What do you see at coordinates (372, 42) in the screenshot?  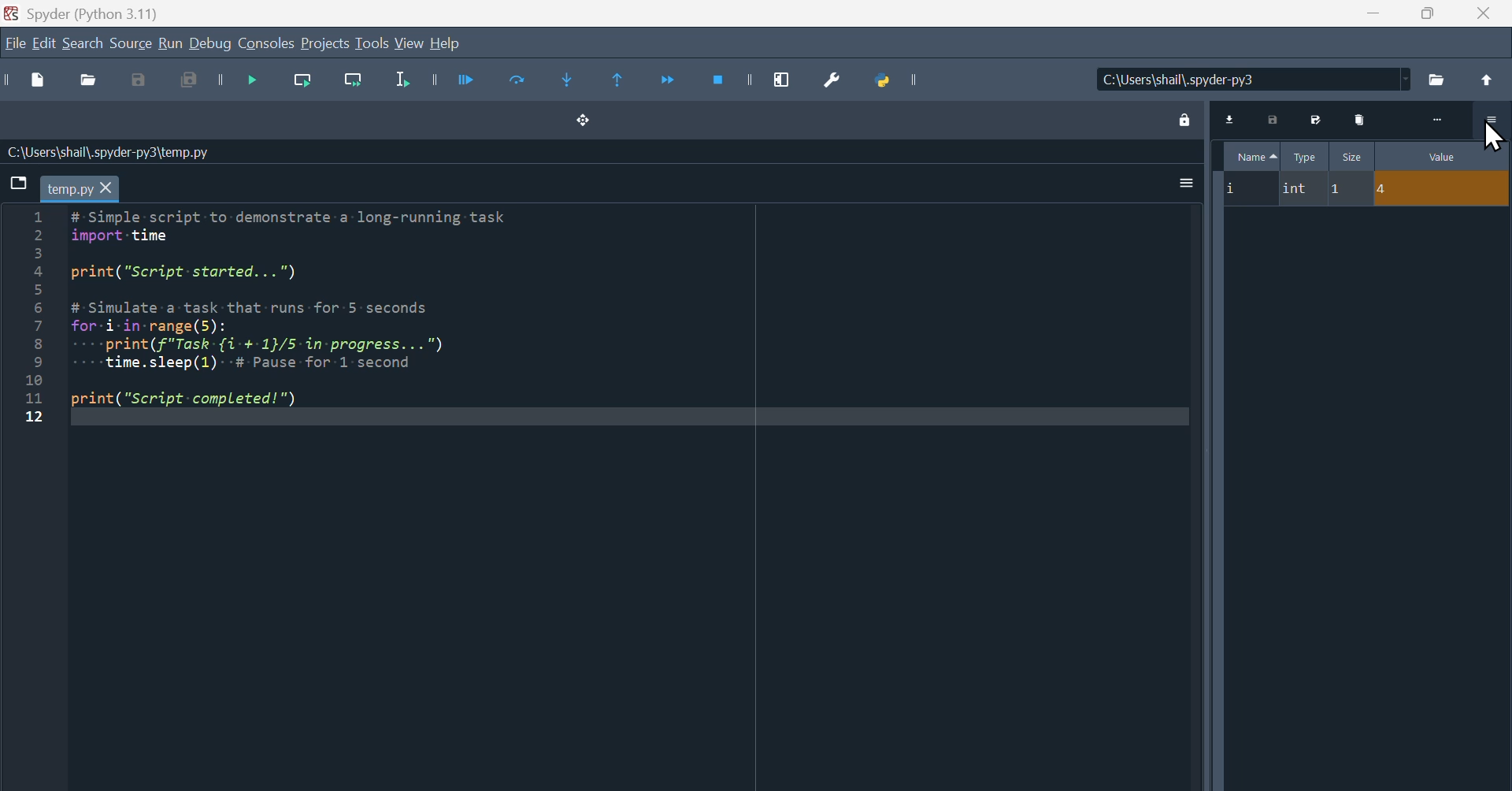 I see `tools` at bounding box center [372, 42].